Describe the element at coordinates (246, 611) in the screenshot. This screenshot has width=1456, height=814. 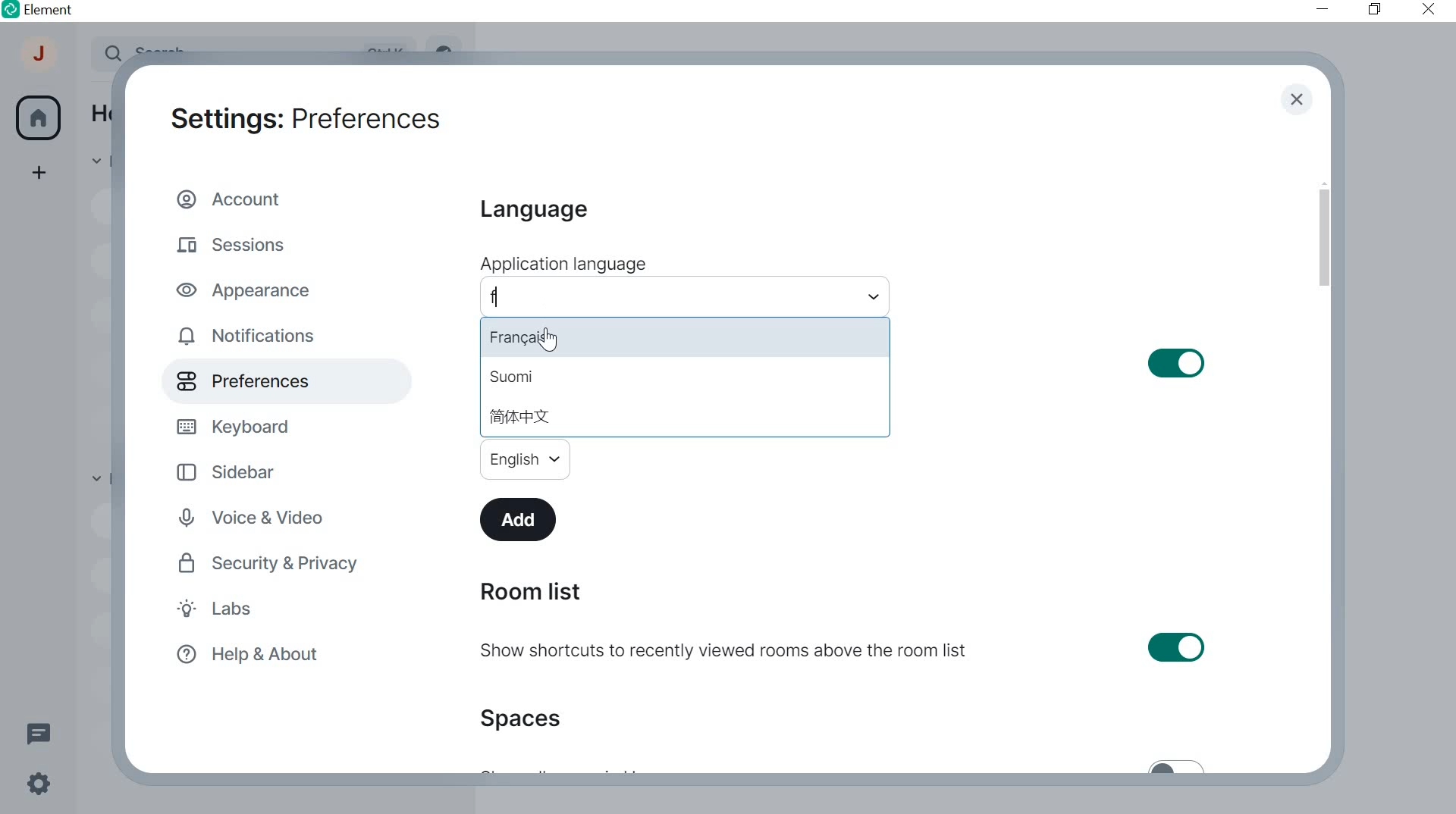
I see `LABS` at that location.